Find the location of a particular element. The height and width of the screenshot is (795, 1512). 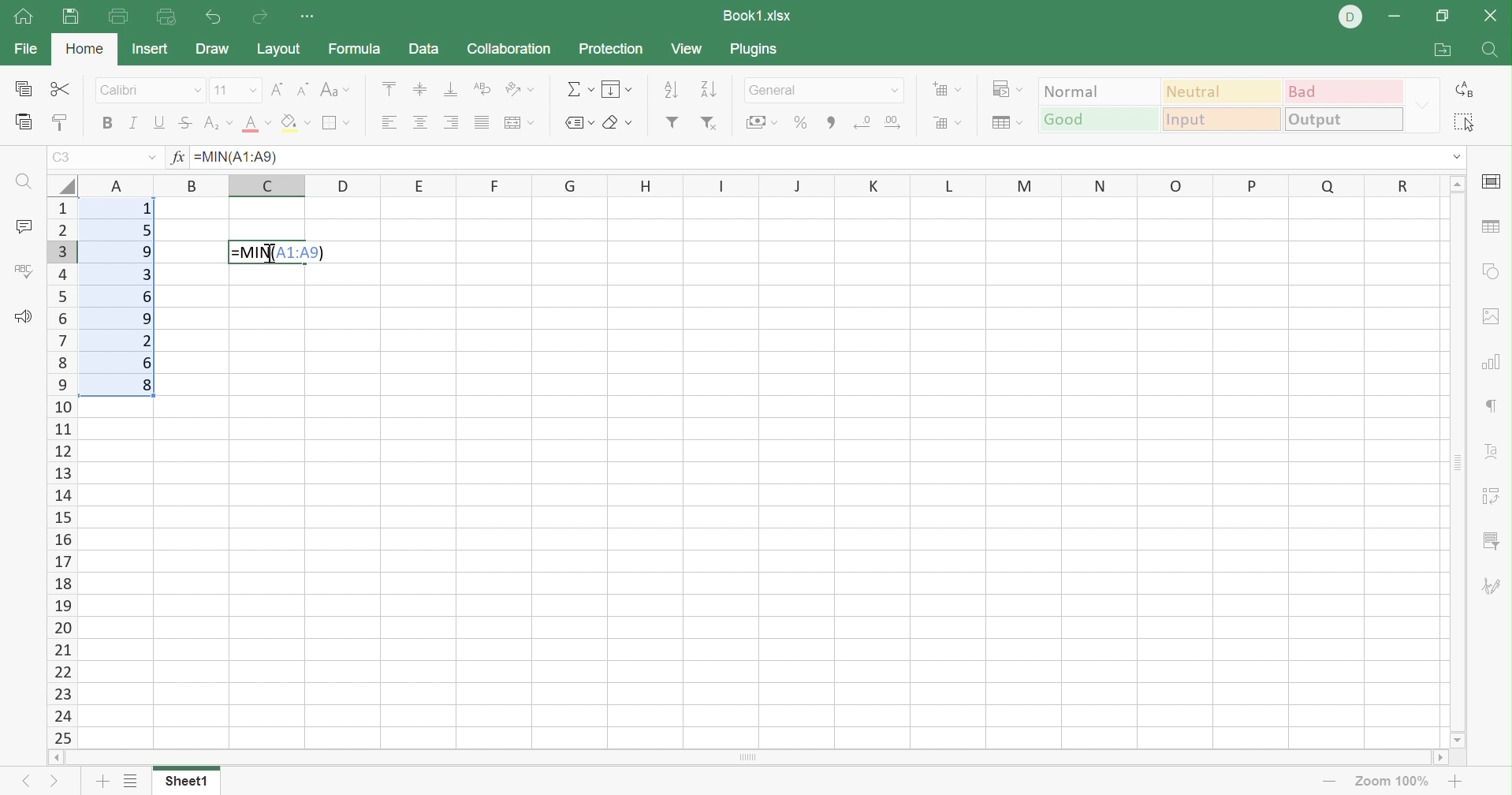

Print is located at coordinates (121, 16).